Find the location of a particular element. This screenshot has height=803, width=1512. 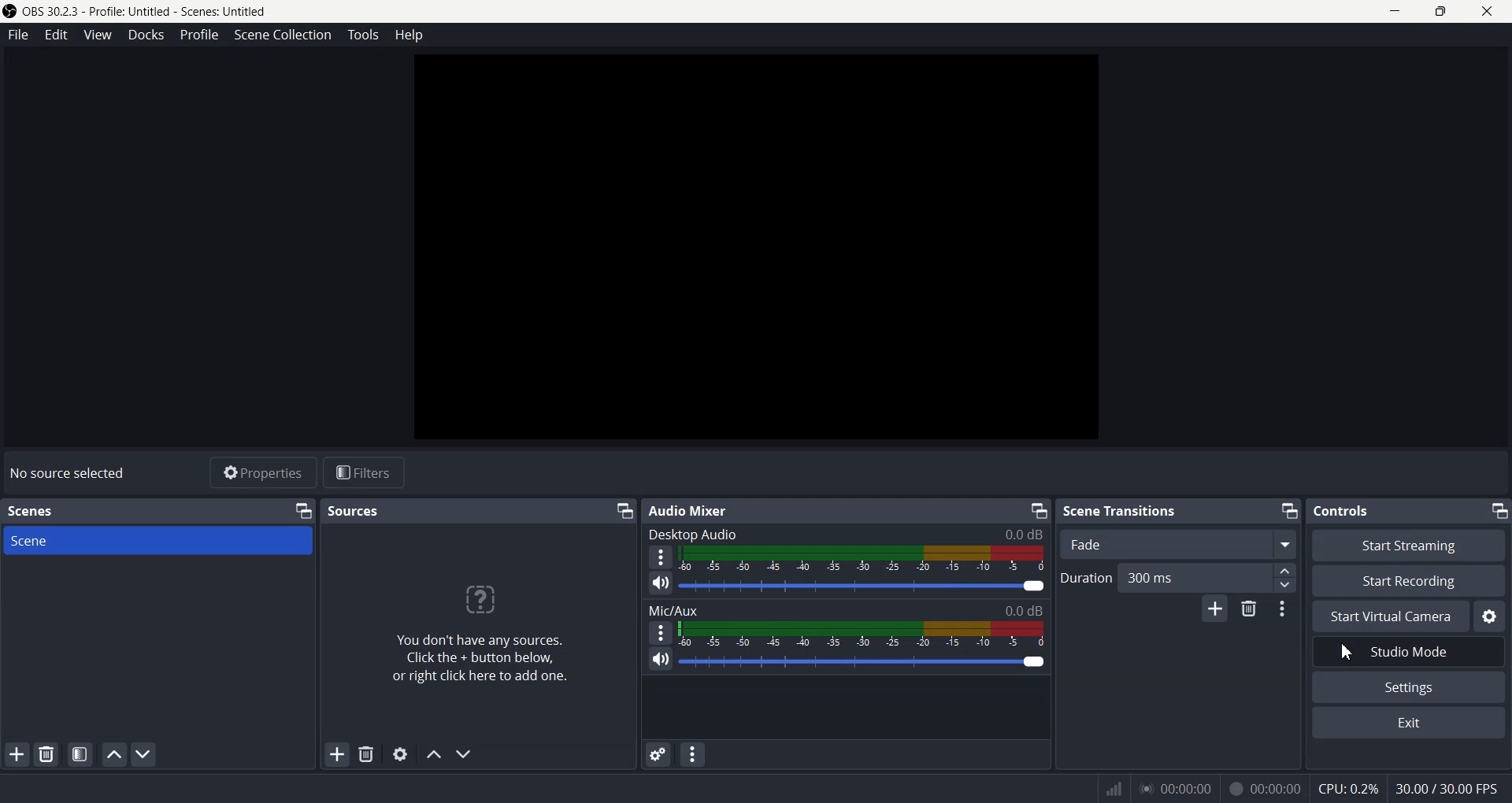

Source adder is located at coordinates (478, 626).